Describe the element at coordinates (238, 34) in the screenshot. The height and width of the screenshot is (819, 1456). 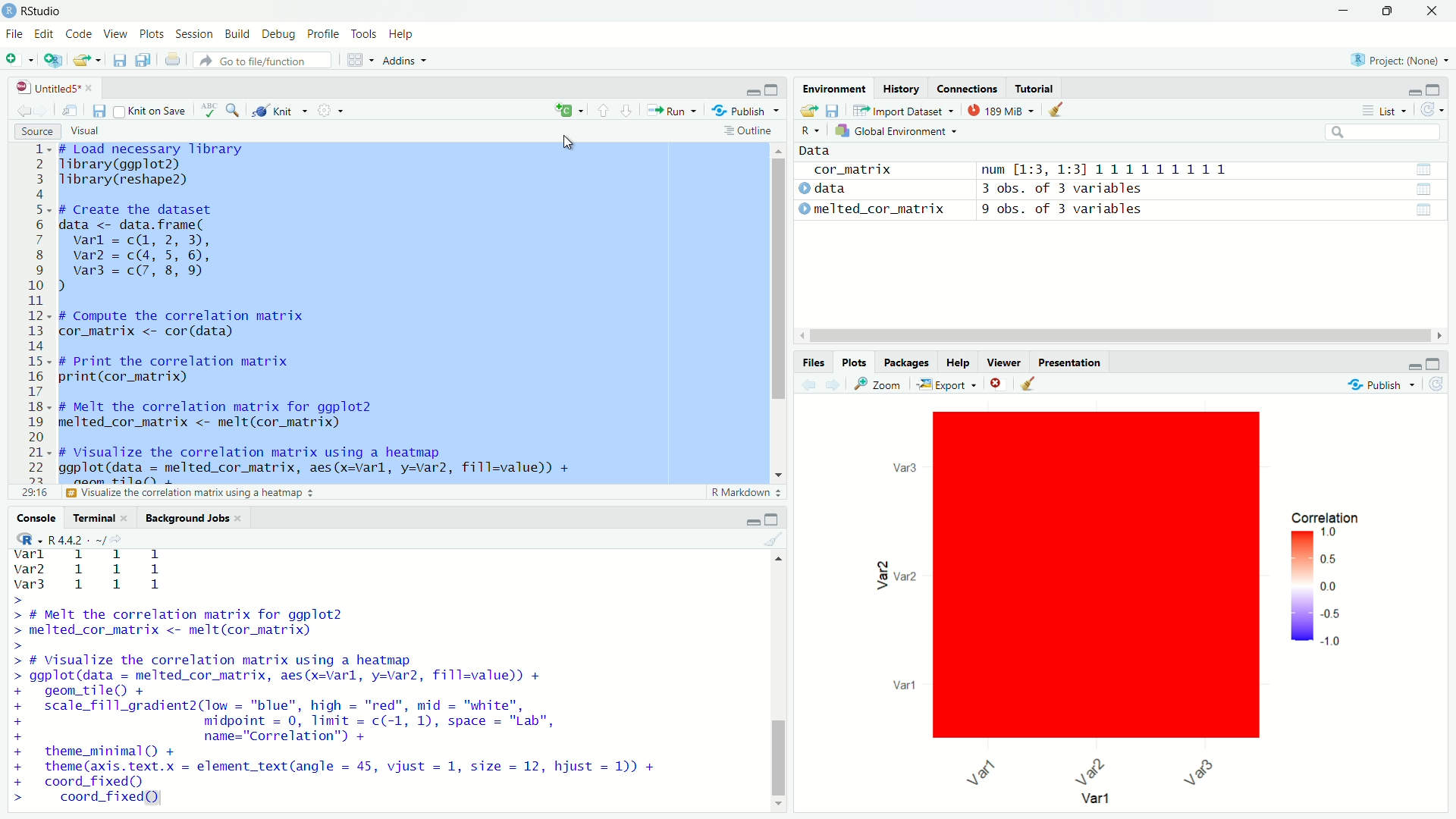
I see `build` at that location.